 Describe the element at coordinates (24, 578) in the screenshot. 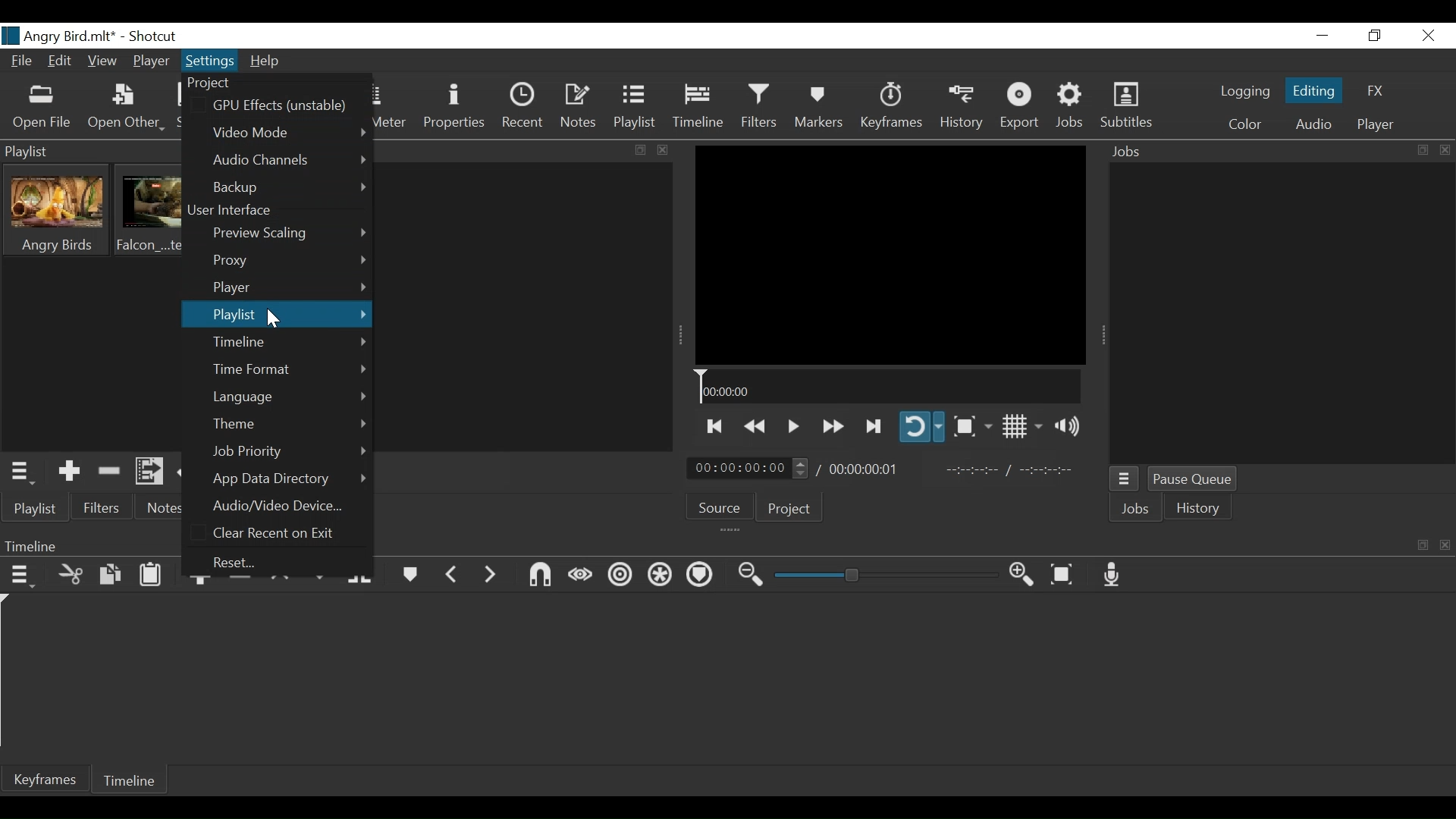

I see `Timeline menu` at that location.